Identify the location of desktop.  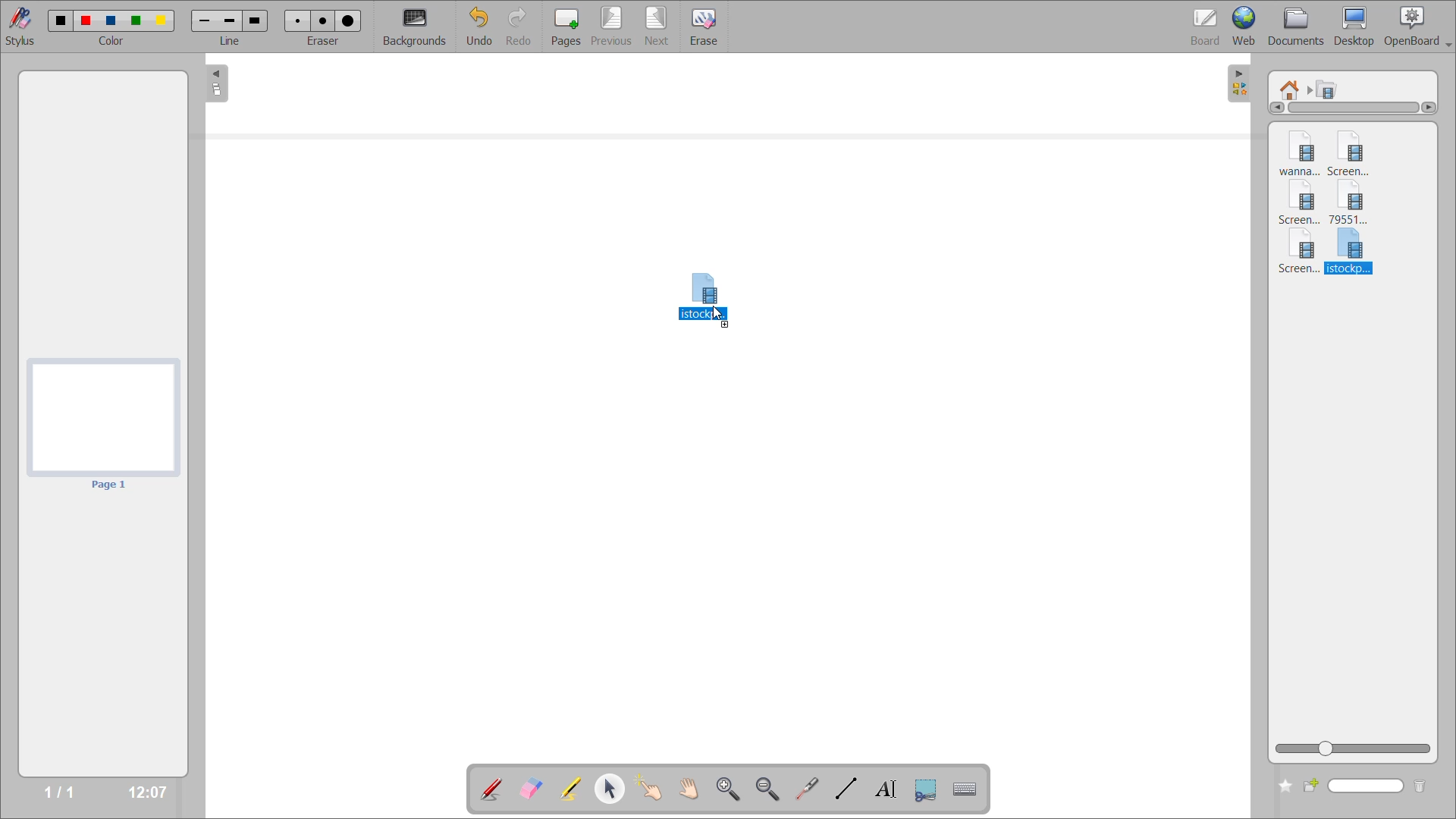
(1357, 27).